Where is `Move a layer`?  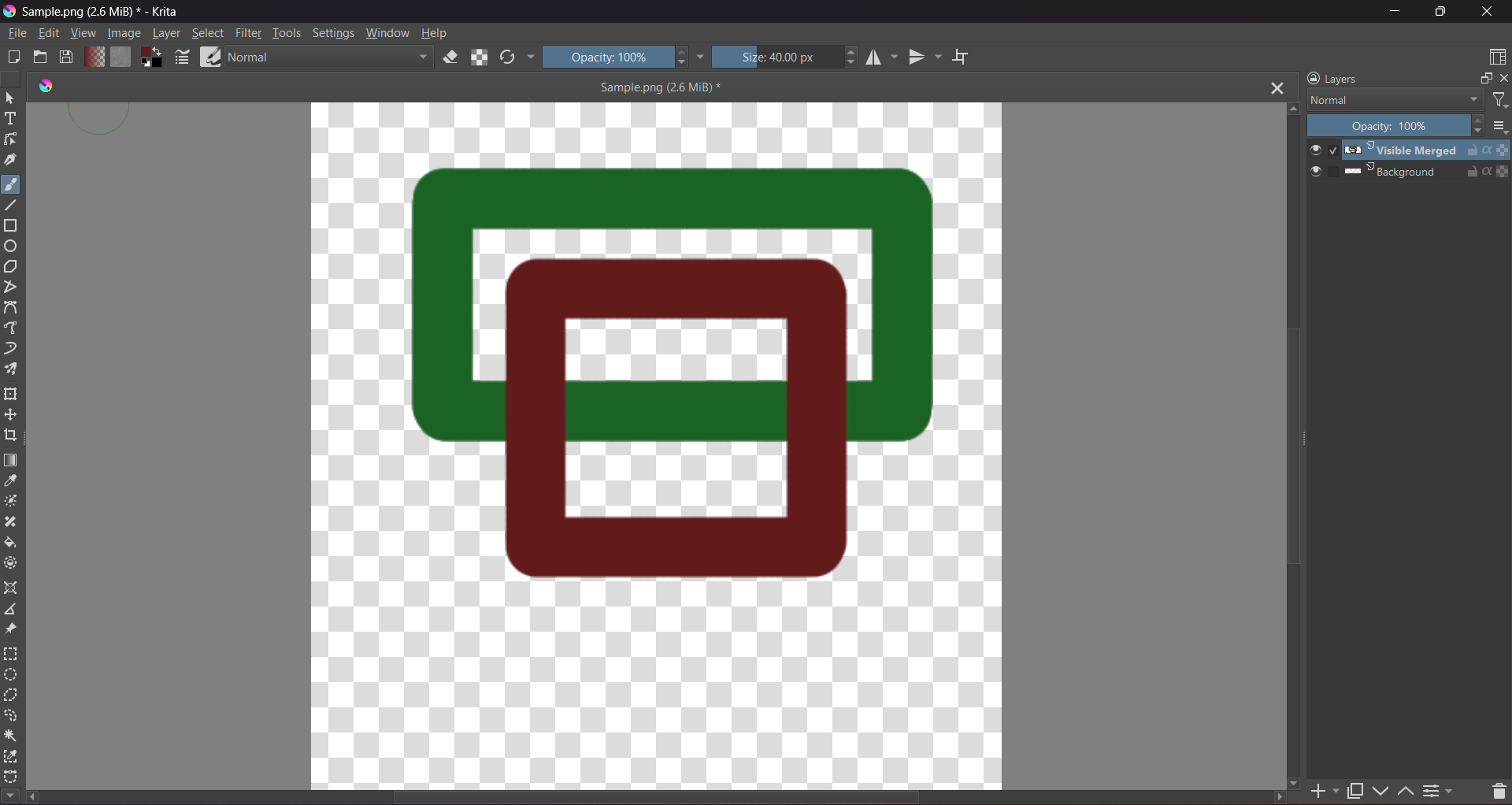 Move a layer is located at coordinates (12, 415).